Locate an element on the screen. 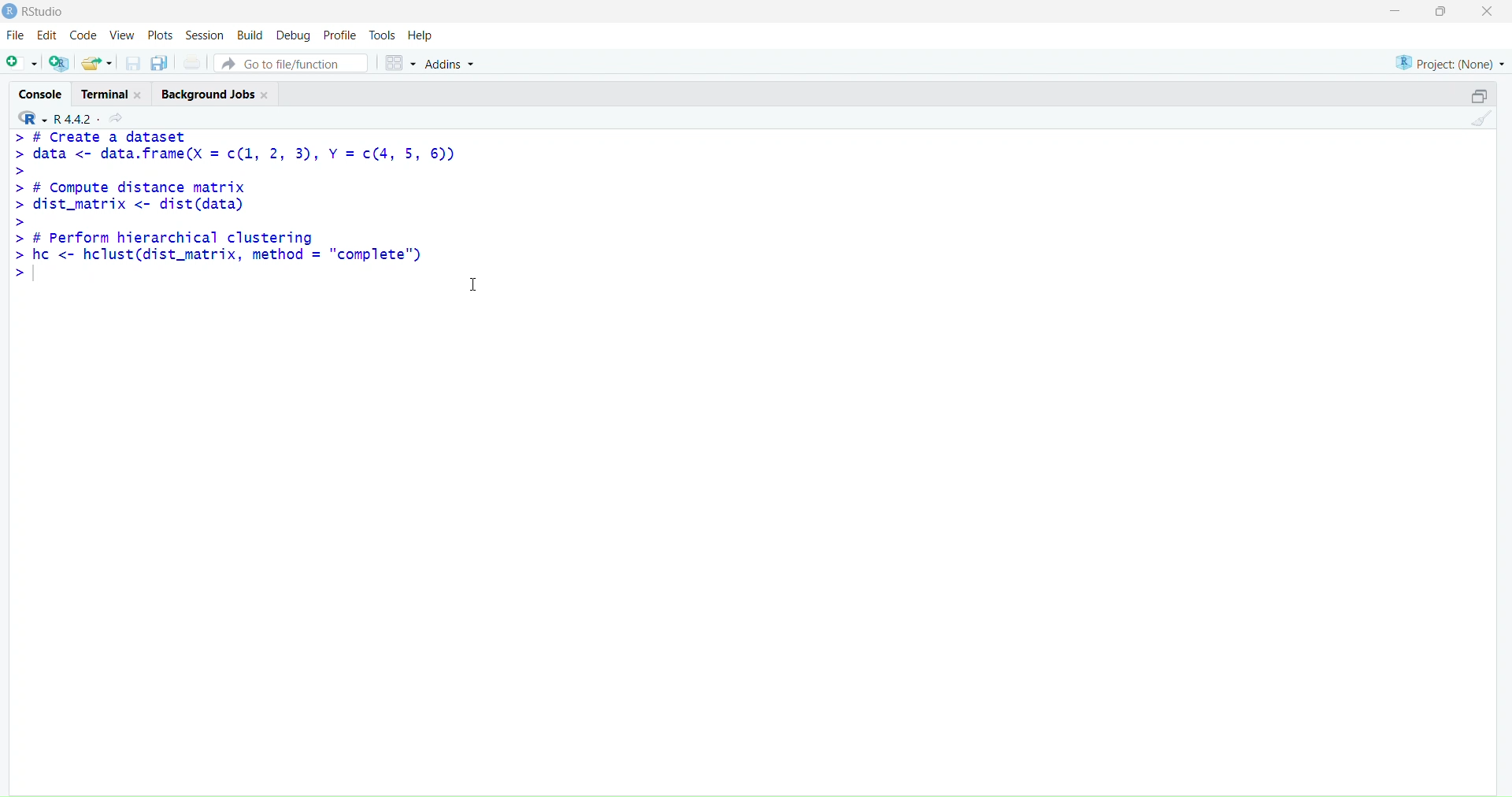  RStudio is located at coordinates (39, 13).